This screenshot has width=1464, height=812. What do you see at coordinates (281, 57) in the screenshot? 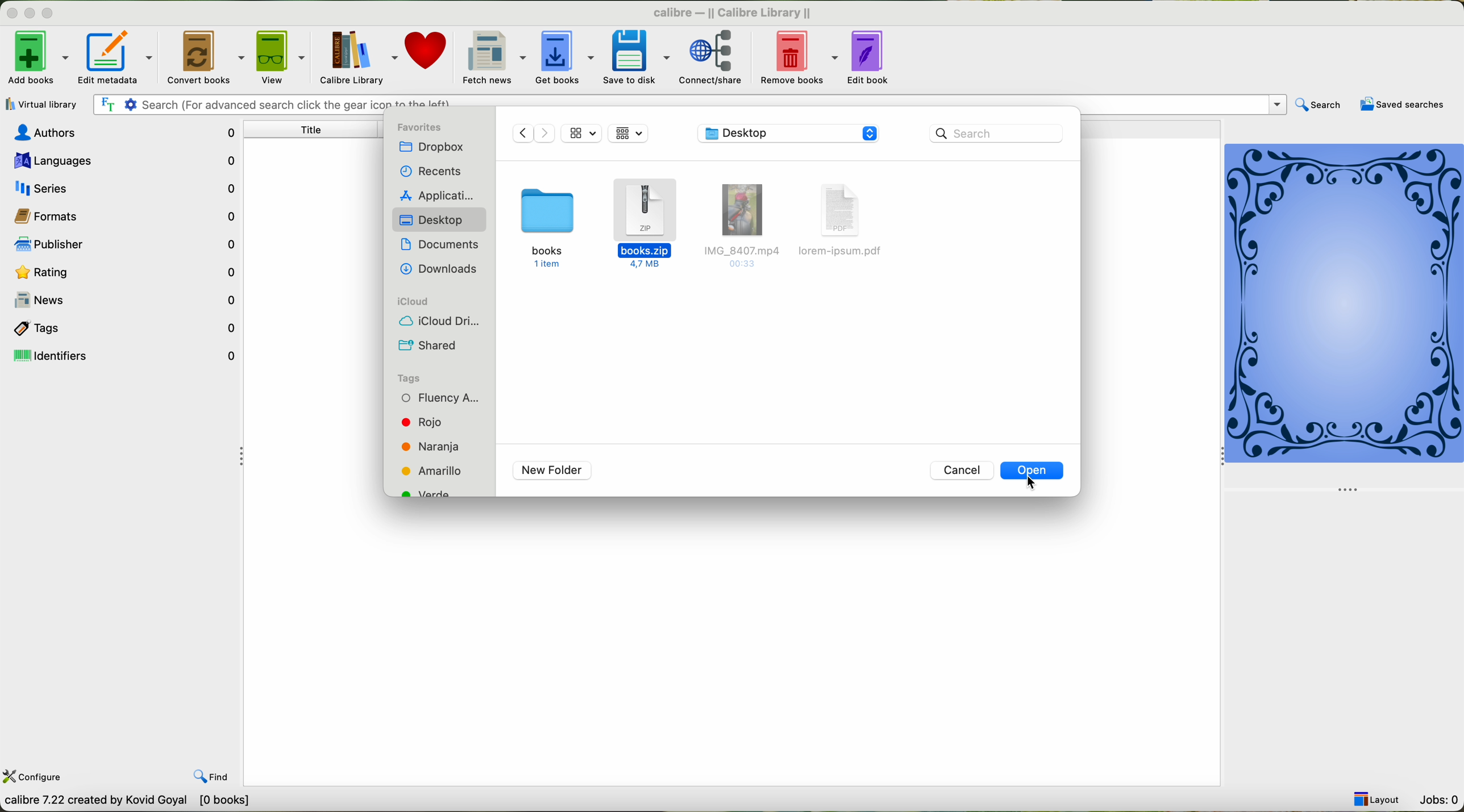
I see `view` at bounding box center [281, 57].